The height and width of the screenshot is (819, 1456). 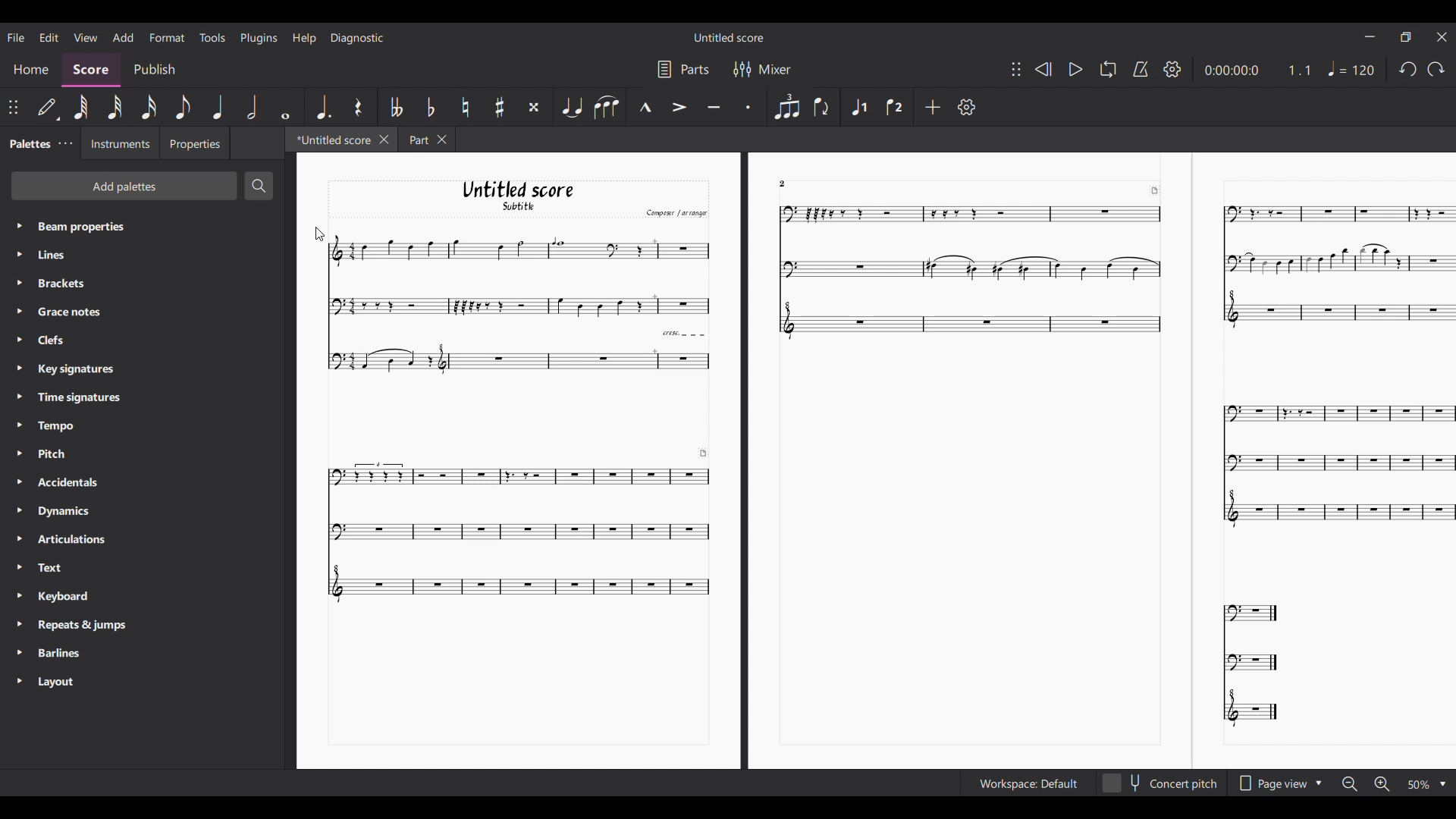 I want to click on Default, so click(x=48, y=109).